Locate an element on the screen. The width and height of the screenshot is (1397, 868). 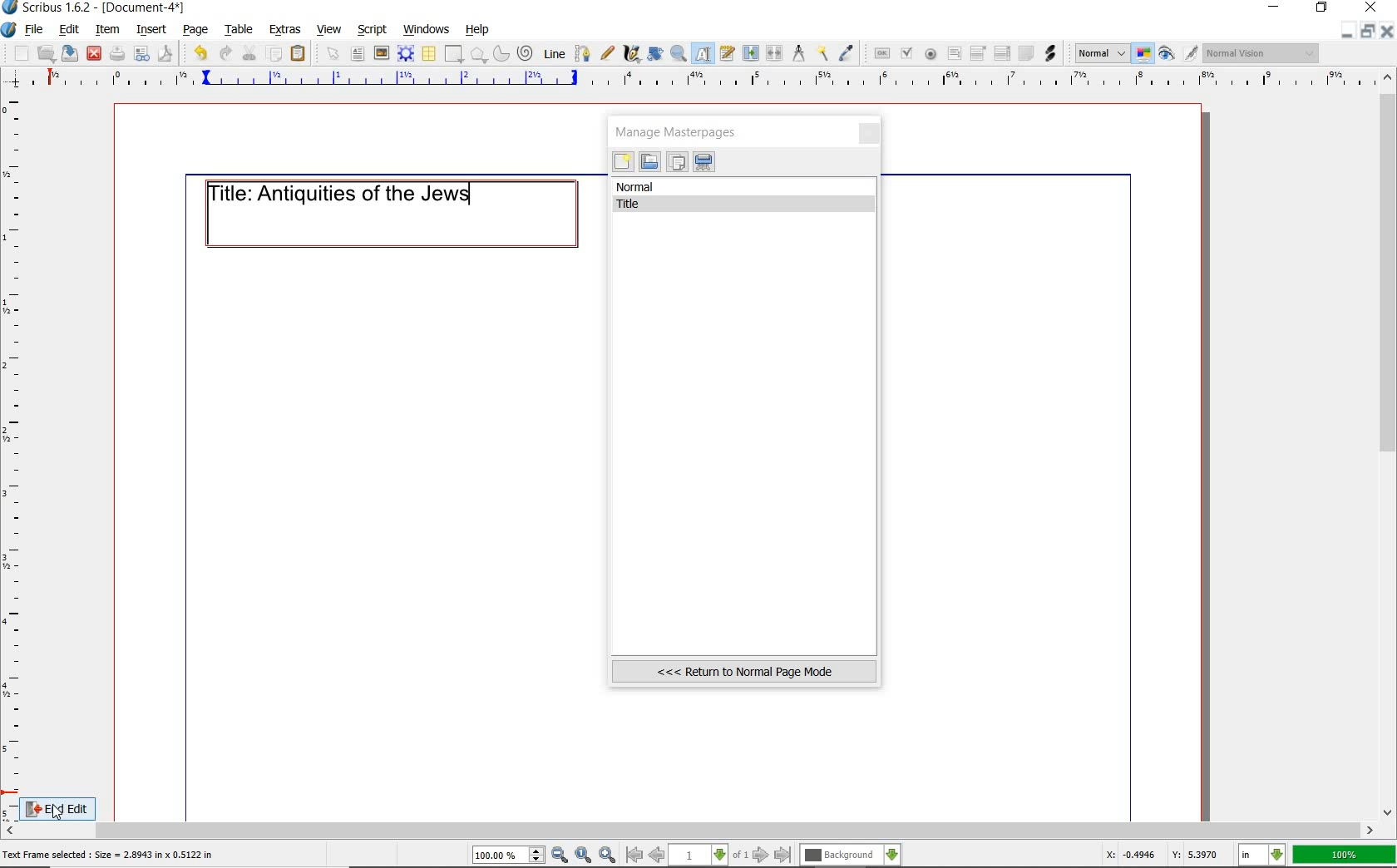
new is located at coordinates (16, 53).